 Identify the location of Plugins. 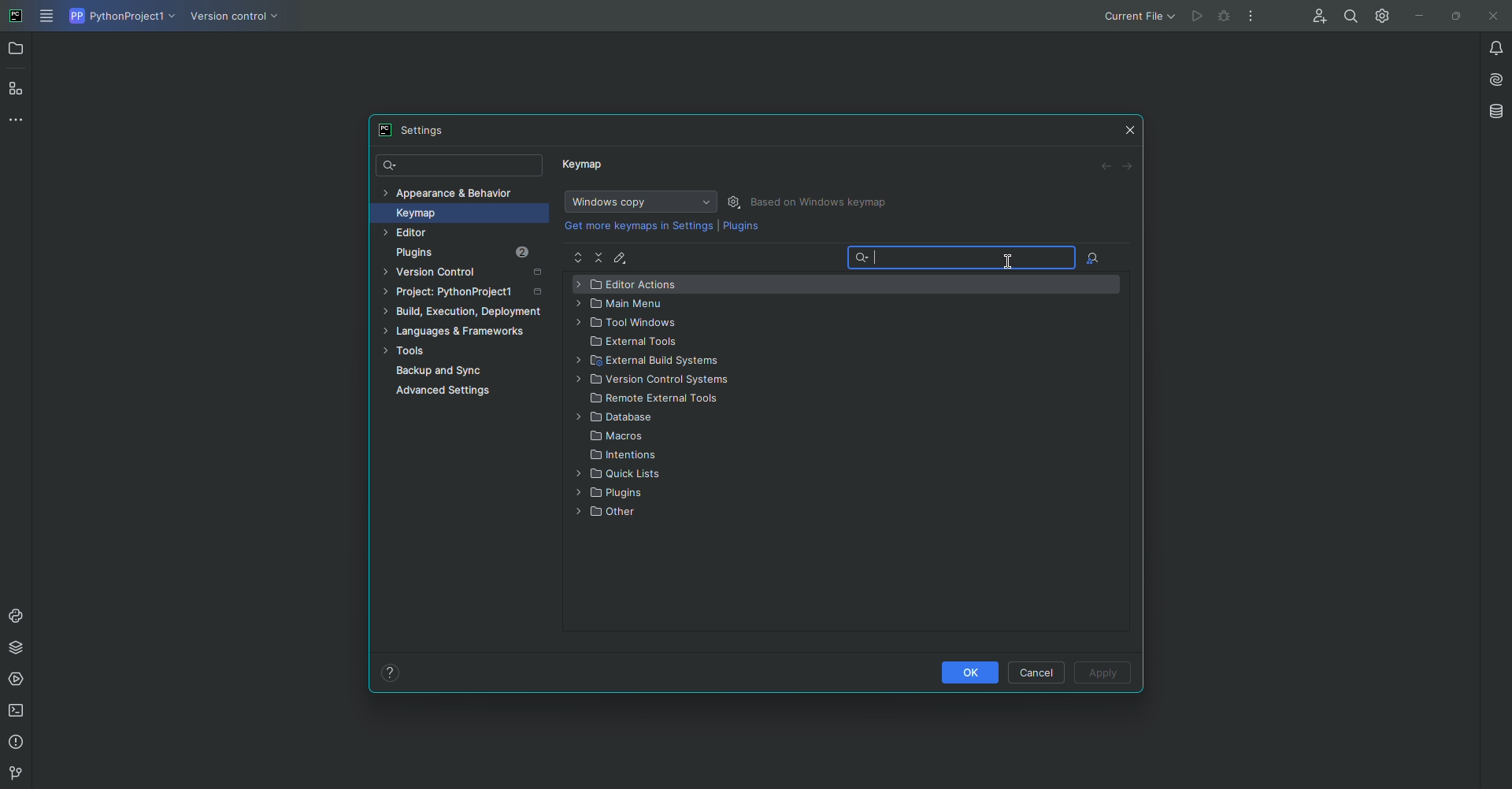
(474, 253).